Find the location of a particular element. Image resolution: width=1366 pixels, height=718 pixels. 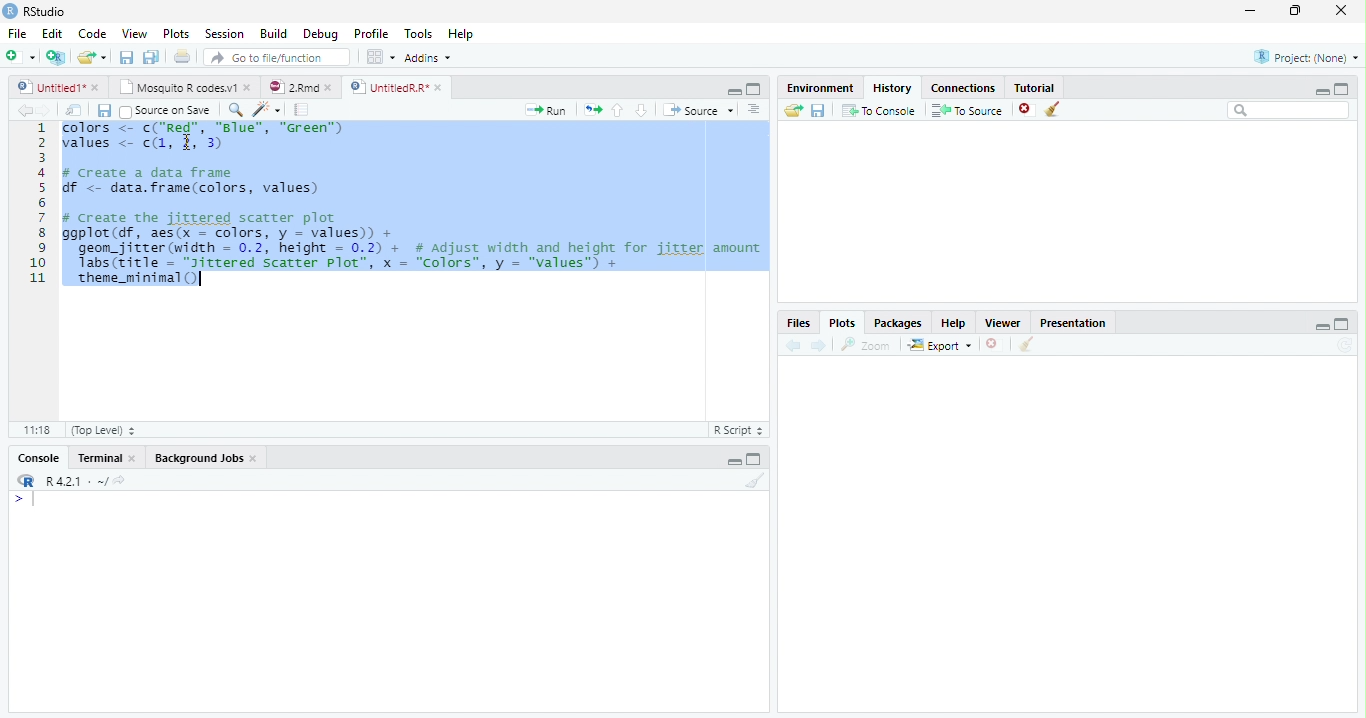

close is located at coordinates (328, 88).